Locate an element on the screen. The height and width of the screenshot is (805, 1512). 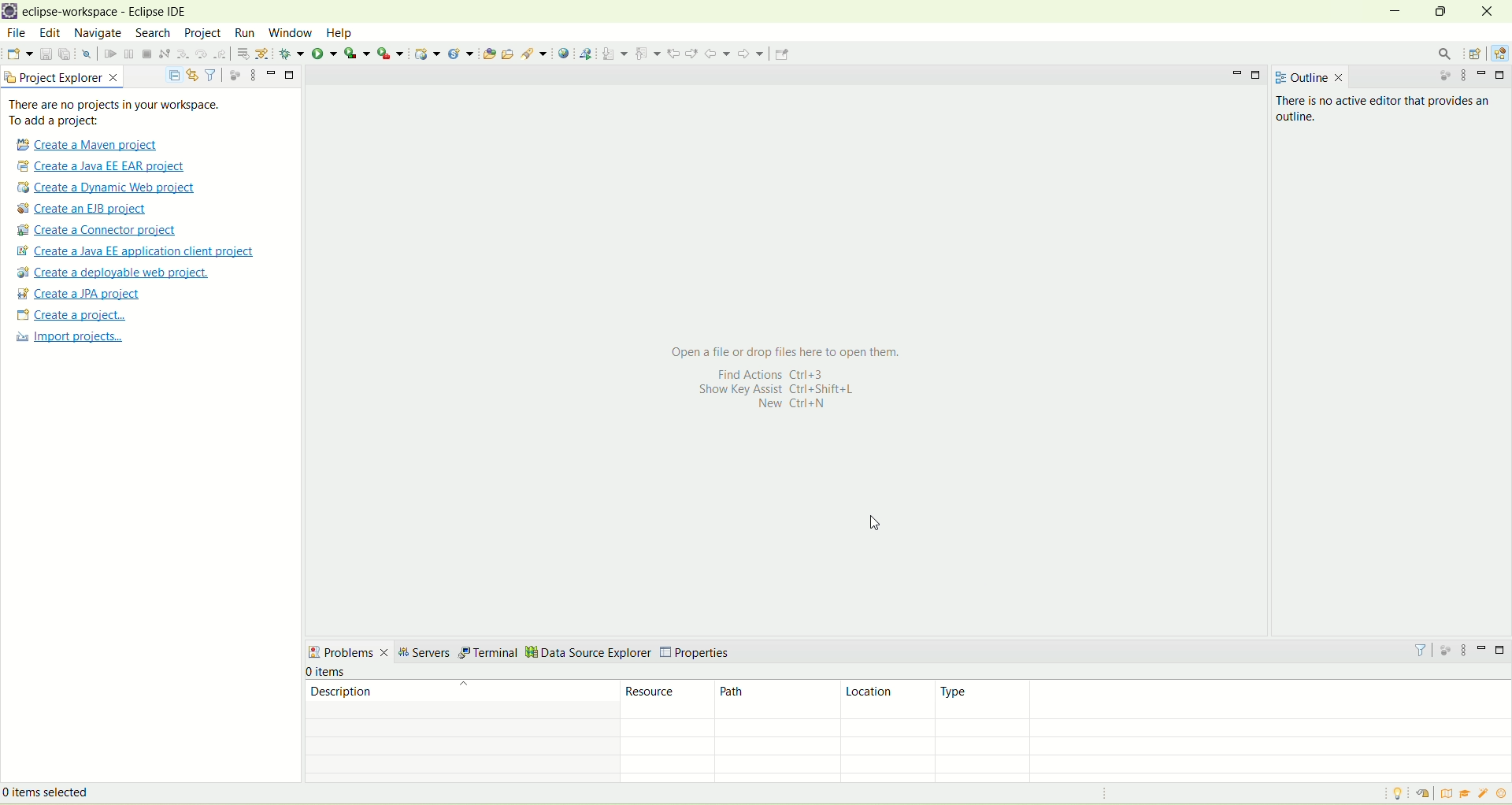
terminate is located at coordinates (209, 54).